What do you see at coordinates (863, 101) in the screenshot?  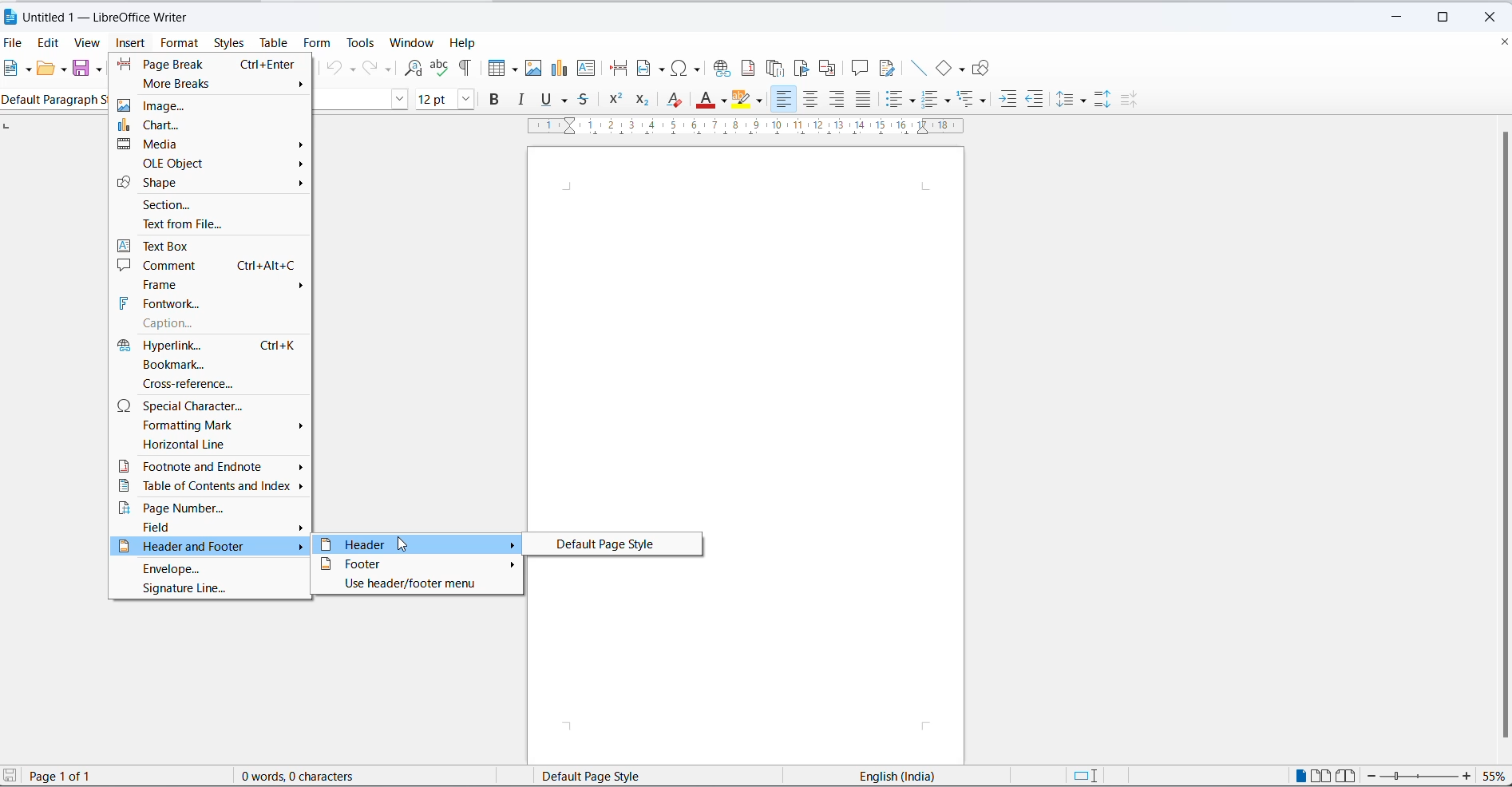 I see `justified` at bounding box center [863, 101].